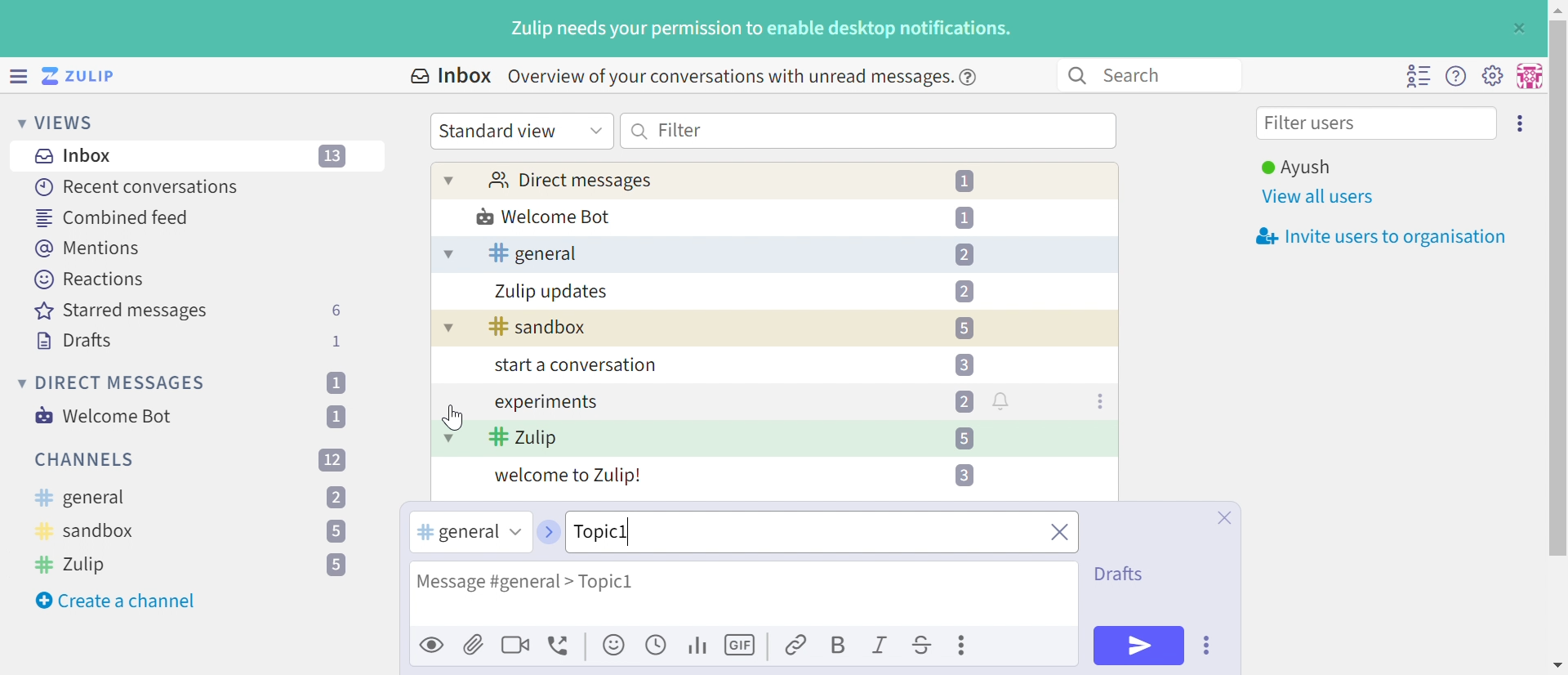 The height and width of the screenshot is (675, 1568). What do you see at coordinates (561, 646) in the screenshot?
I see `Add voice call` at bounding box center [561, 646].